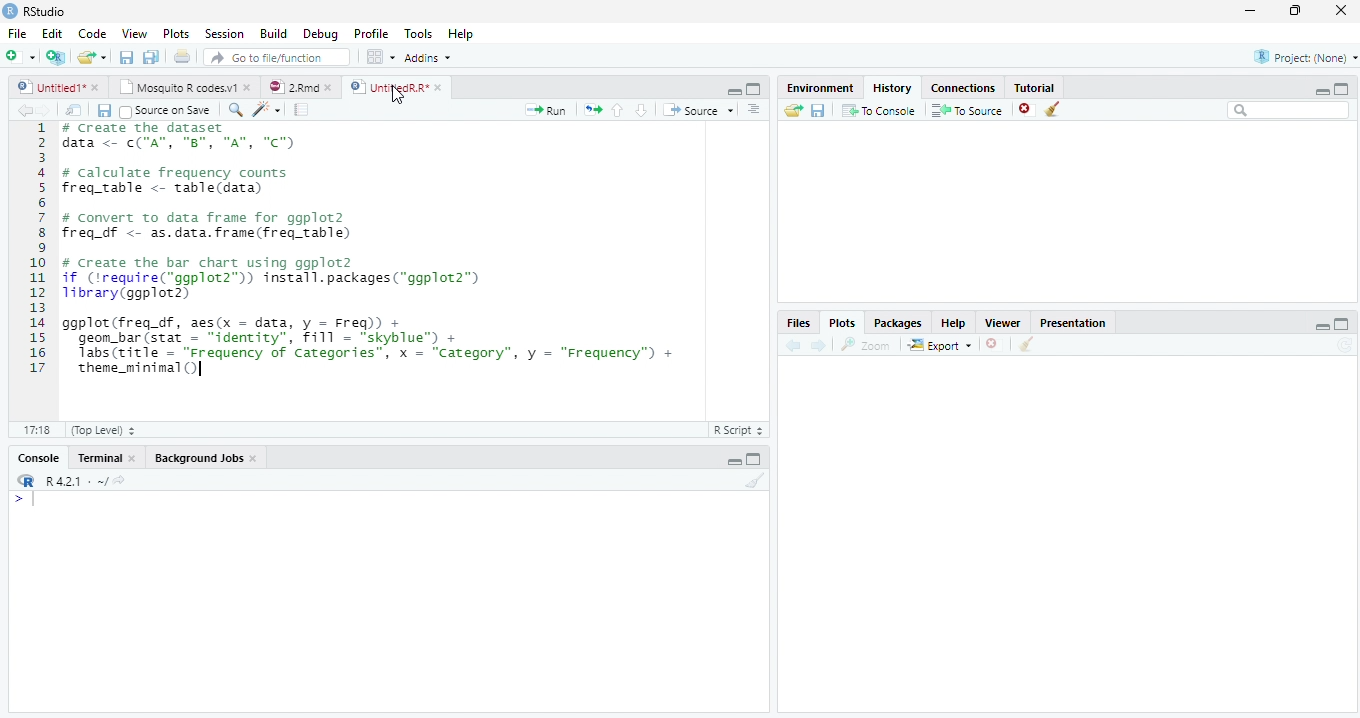 This screenshot has width=1360, height=718. I want to click on Minimize, so click(1323, 328).